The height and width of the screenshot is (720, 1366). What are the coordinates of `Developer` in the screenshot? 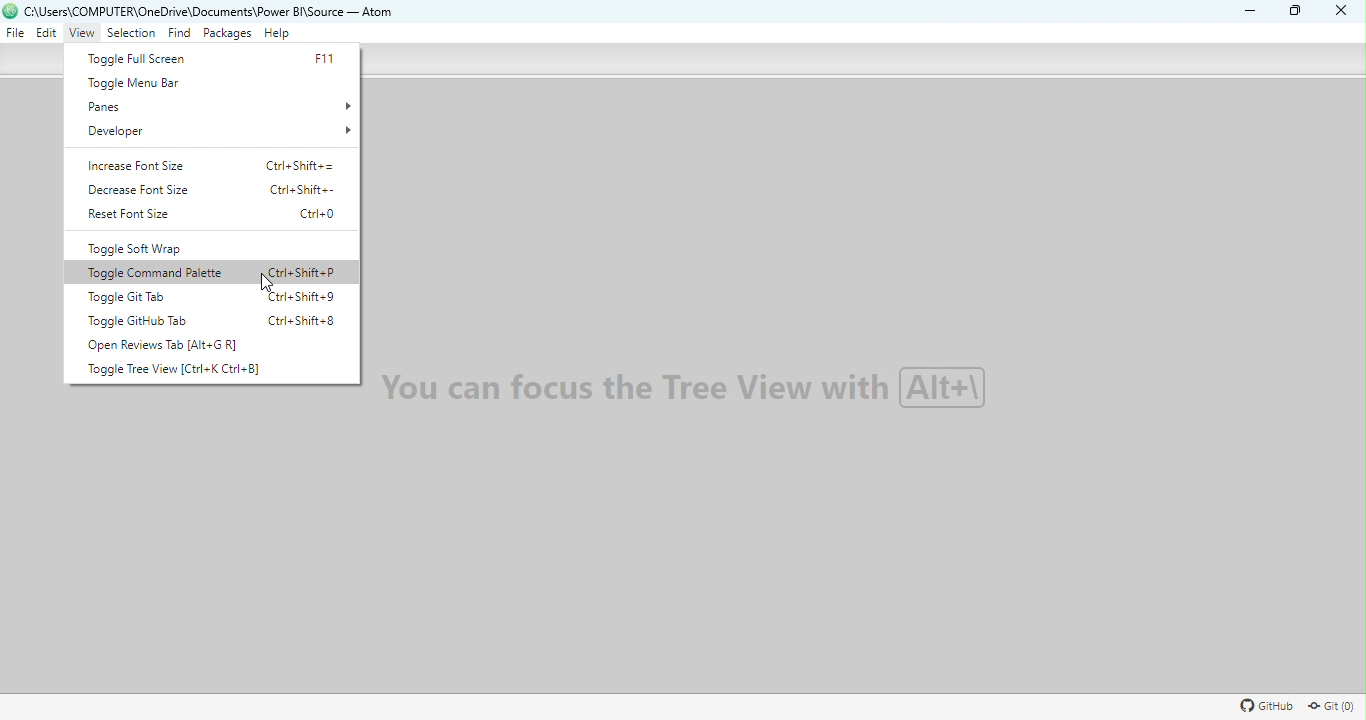 It's located at (222, 132).